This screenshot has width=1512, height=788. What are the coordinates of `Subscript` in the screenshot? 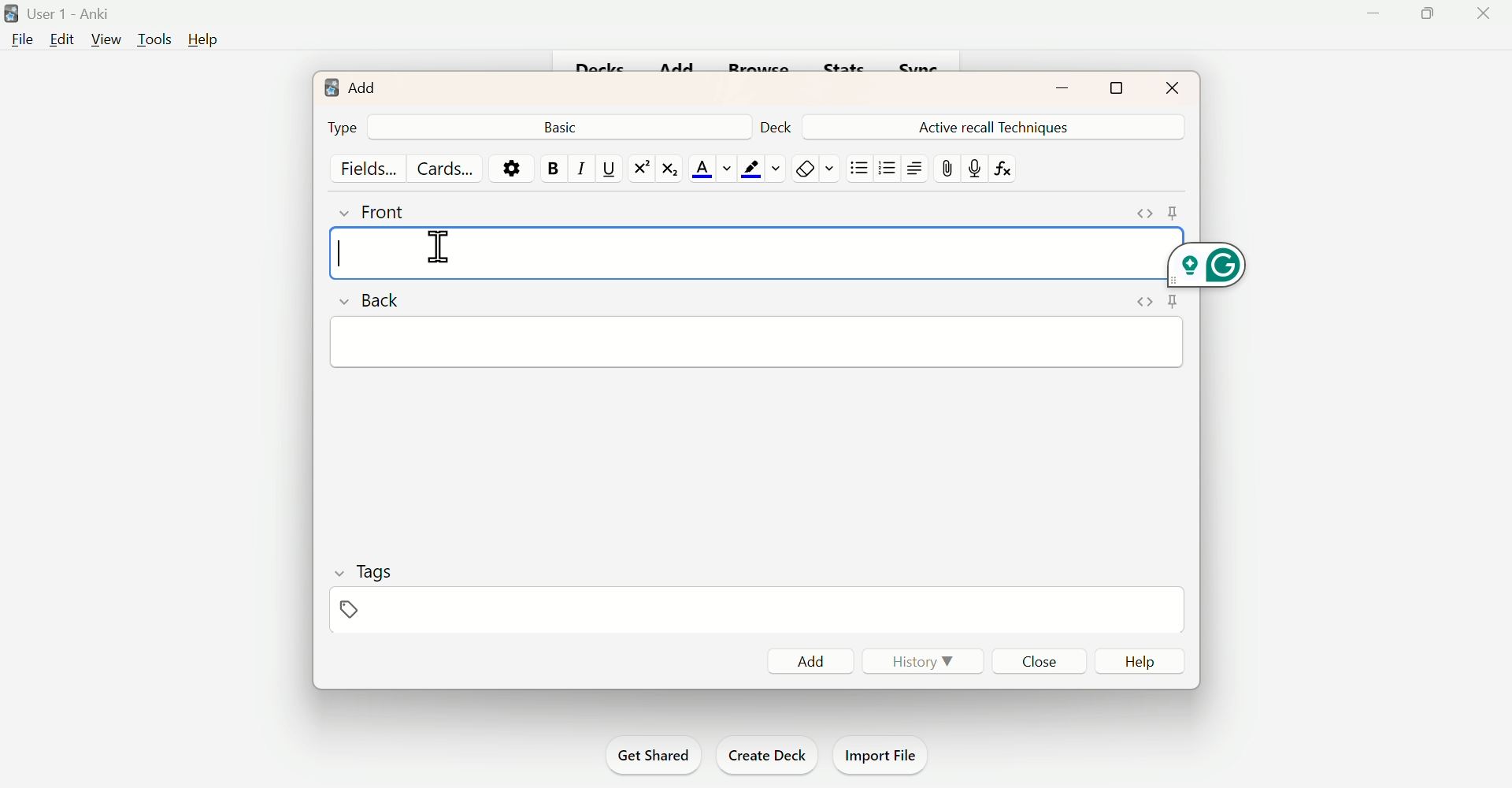 It's located at (669, 169).